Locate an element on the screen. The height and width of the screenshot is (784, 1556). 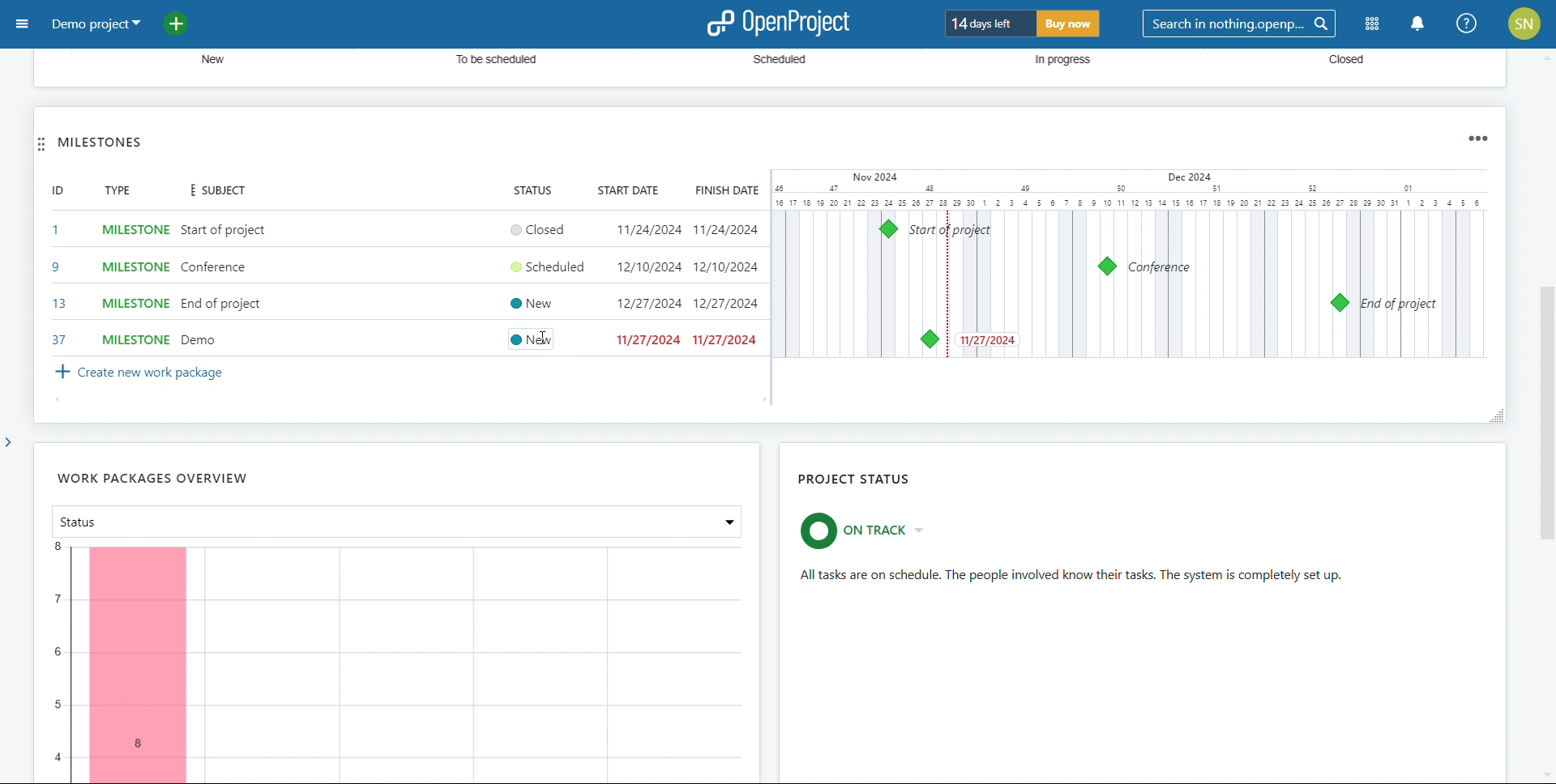
calendar view is located at coordinates (1131, 263).